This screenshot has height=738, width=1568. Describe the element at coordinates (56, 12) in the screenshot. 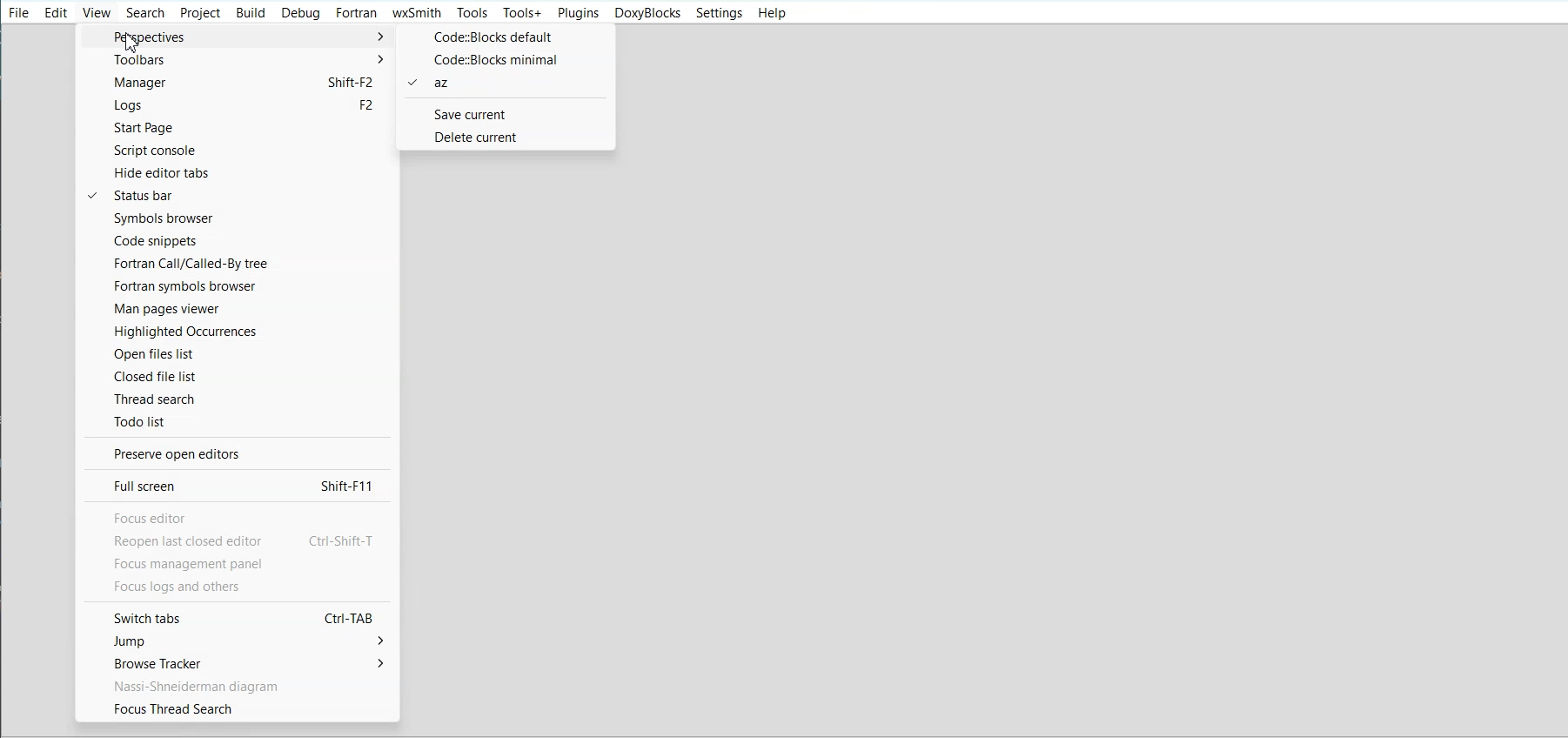

I see `Edit` at that location.